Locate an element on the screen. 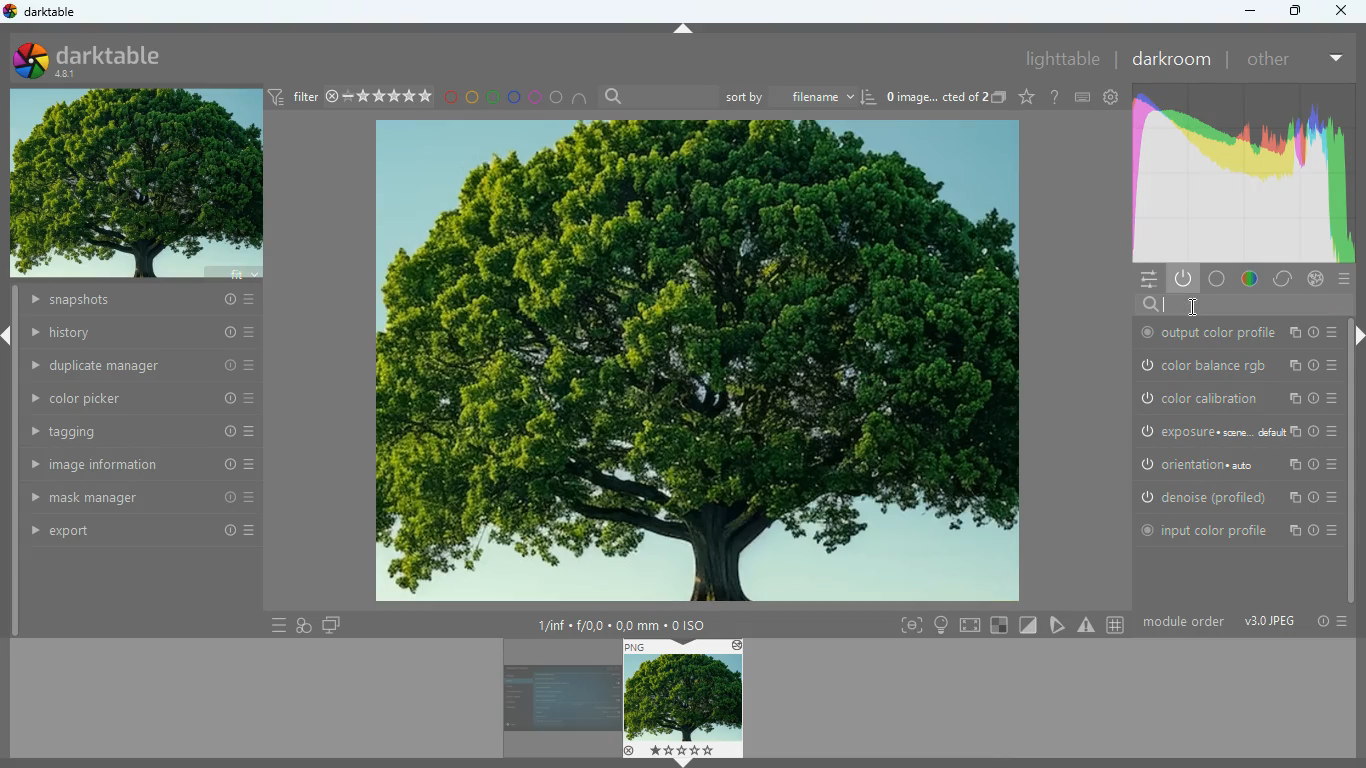 The image size is (1366, 768). cursor is located at coordinates (1192, 307).